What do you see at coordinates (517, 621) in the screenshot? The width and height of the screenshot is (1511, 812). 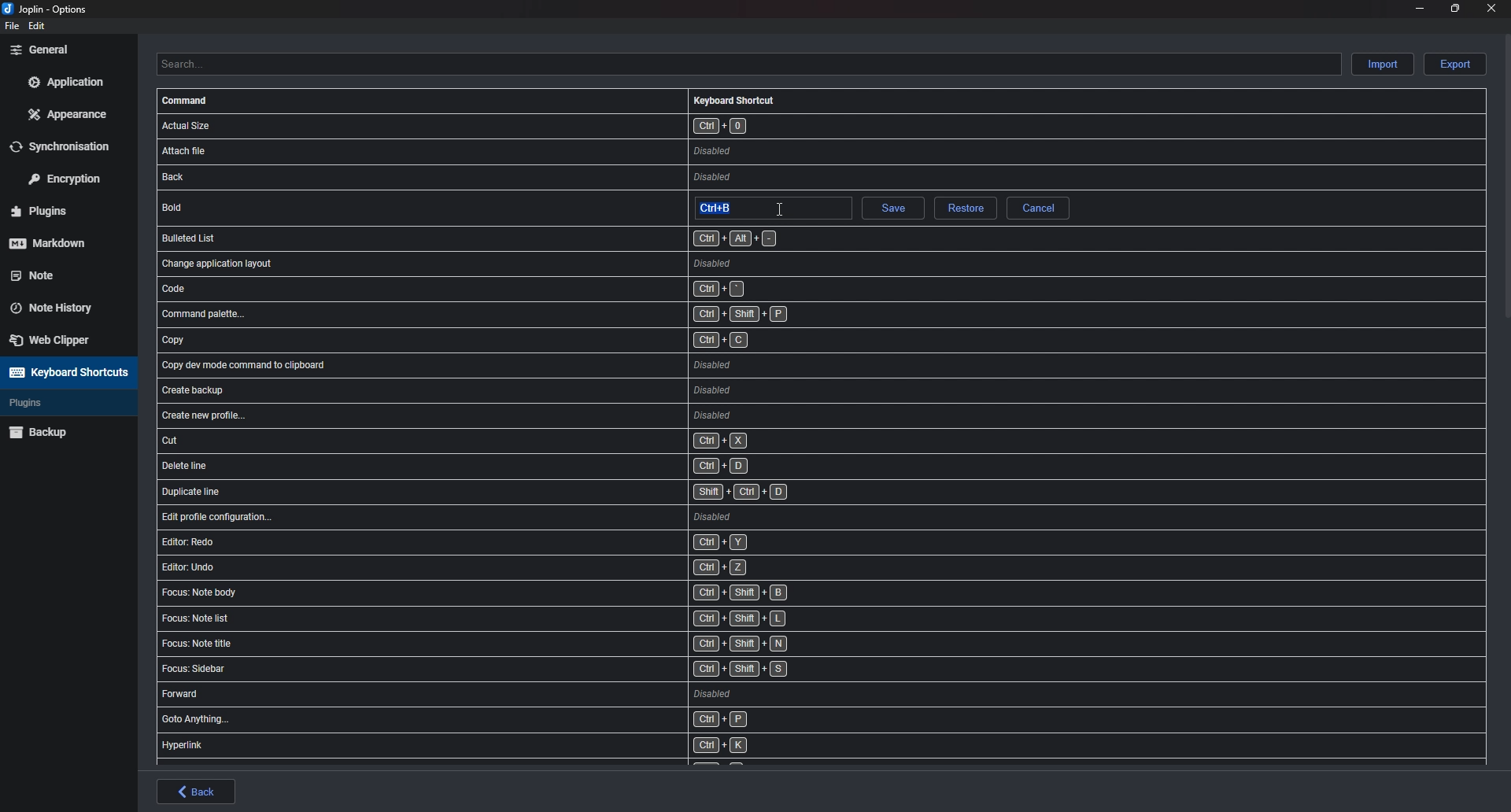 I see `shortcut` at bounding box center [517, 621].